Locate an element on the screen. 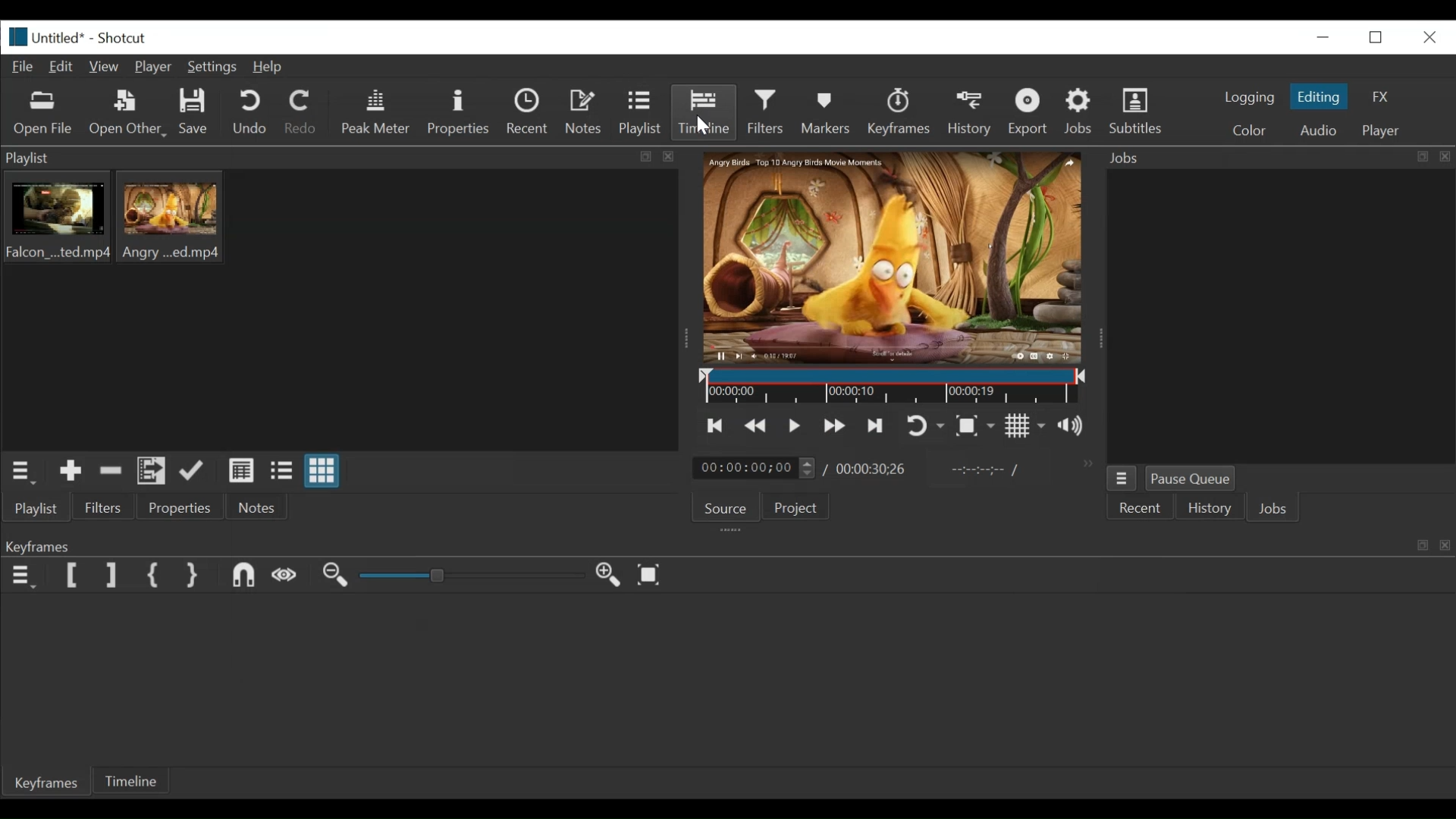  Source is located at coordinates (724, 510).